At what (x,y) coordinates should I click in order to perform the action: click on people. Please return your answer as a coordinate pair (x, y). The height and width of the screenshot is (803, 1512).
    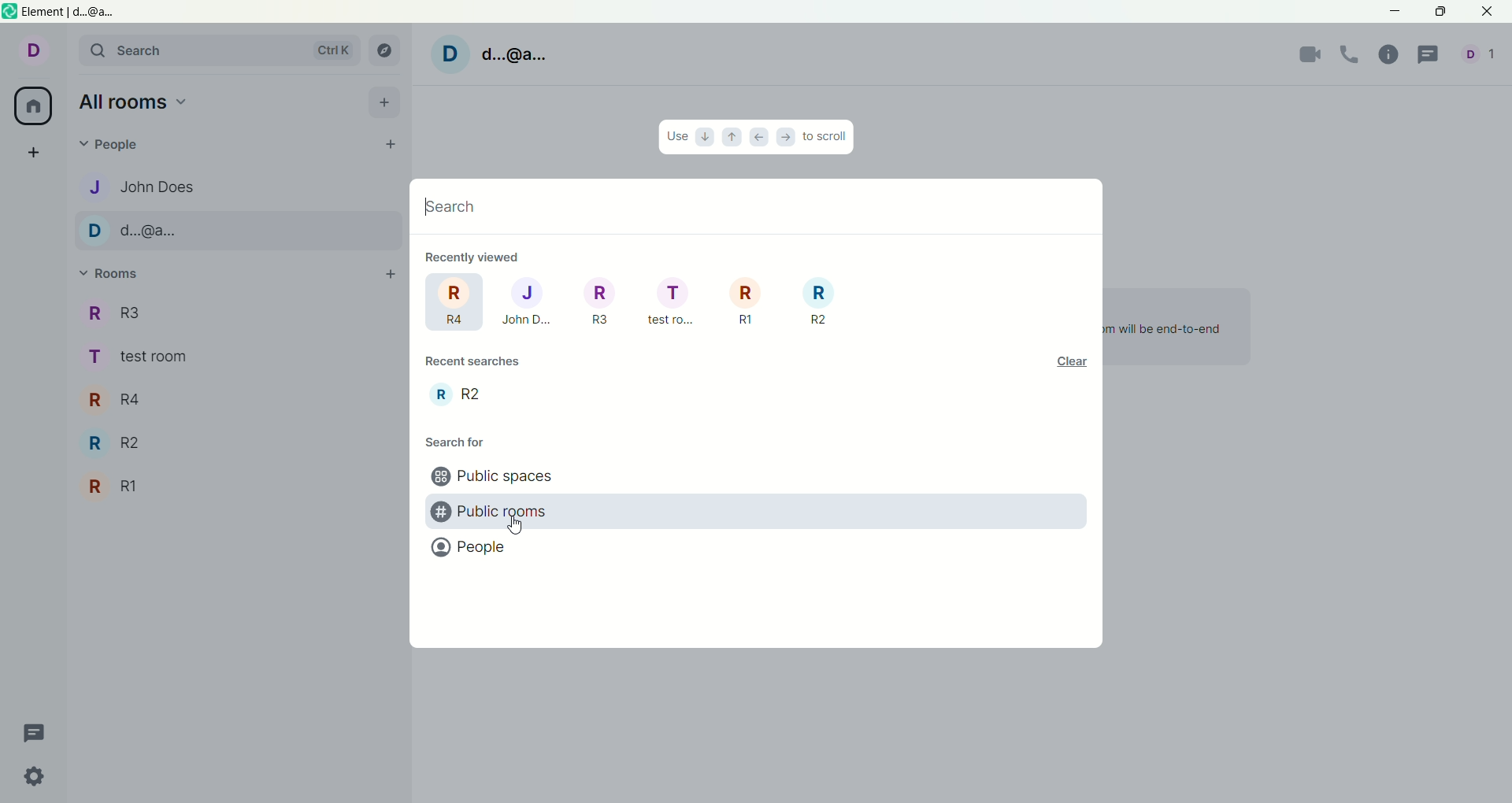
    Looking at the image, I should click on (115, 145).